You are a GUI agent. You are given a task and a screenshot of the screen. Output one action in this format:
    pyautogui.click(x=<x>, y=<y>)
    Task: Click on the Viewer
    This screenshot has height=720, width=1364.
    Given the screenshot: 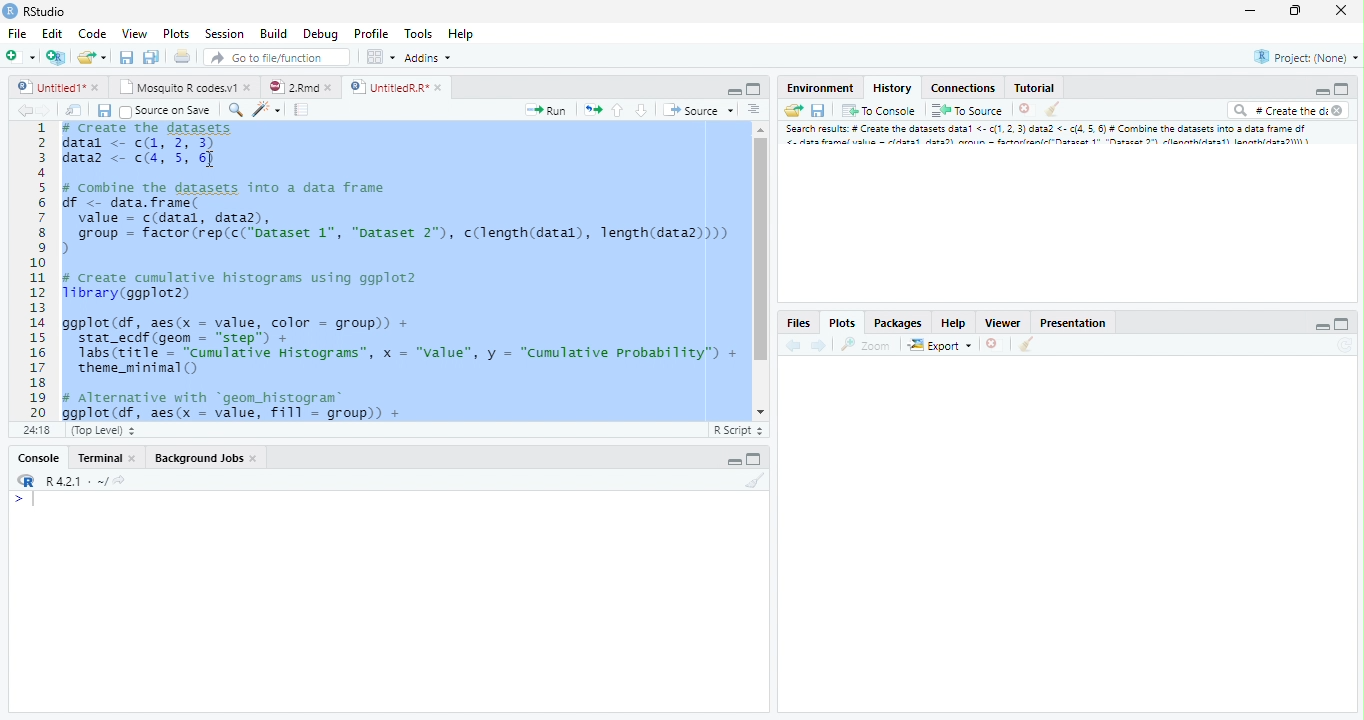 What is the action you would take?
    pyautogui.click(x=1002, y=323)
    